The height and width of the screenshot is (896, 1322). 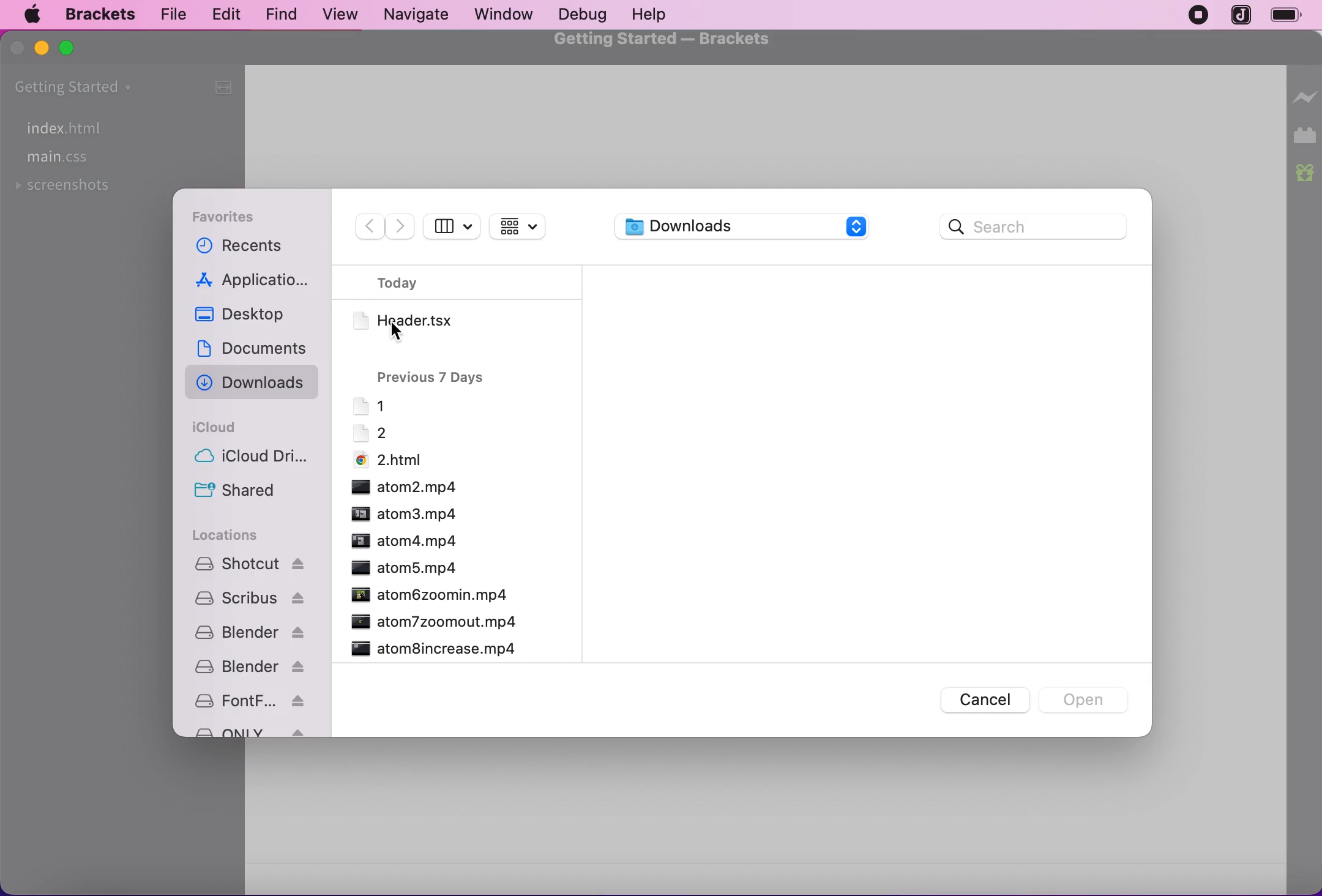 I want to click on help, so click(x=649, y=15).